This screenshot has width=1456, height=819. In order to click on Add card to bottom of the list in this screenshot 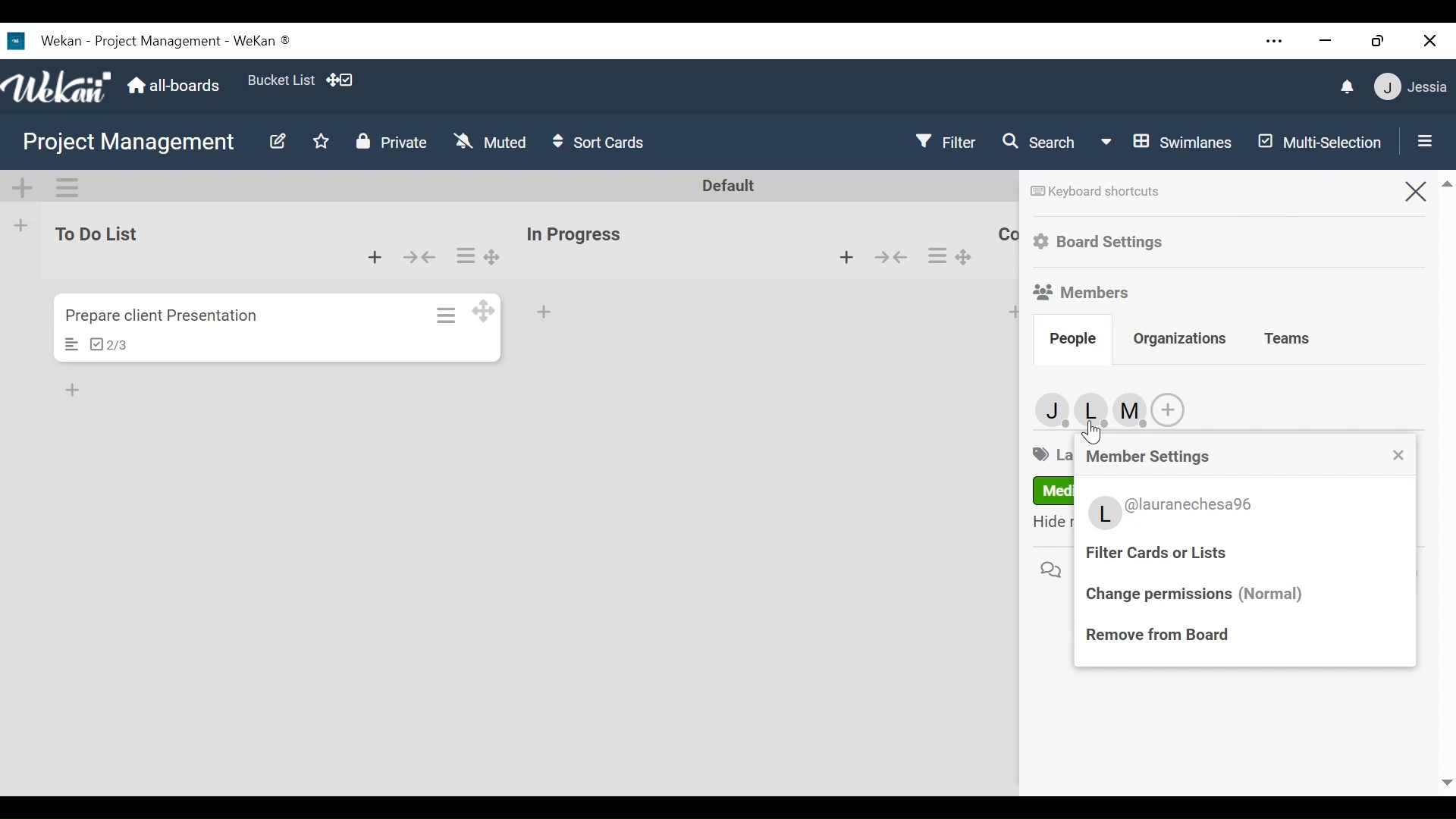, I will do `click(545, 313)`.